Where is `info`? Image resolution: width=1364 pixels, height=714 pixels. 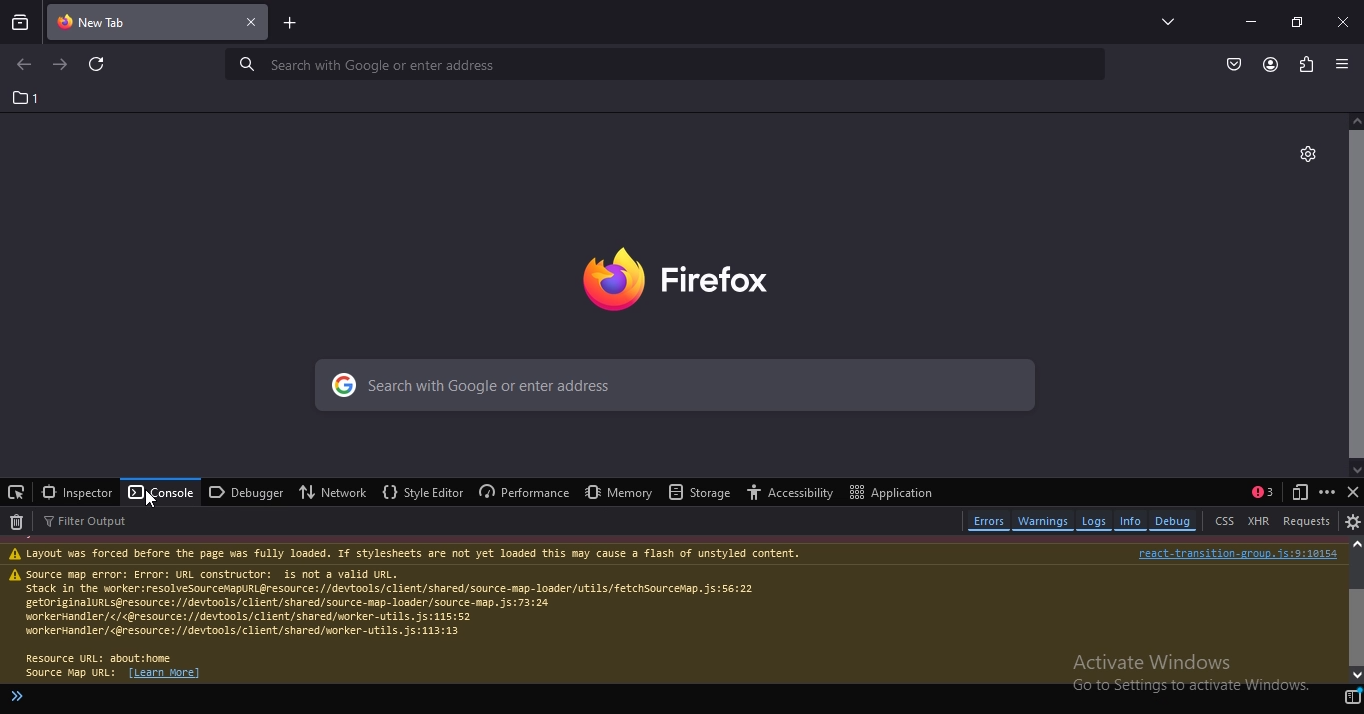 info is located at coordinates (1130, 521).